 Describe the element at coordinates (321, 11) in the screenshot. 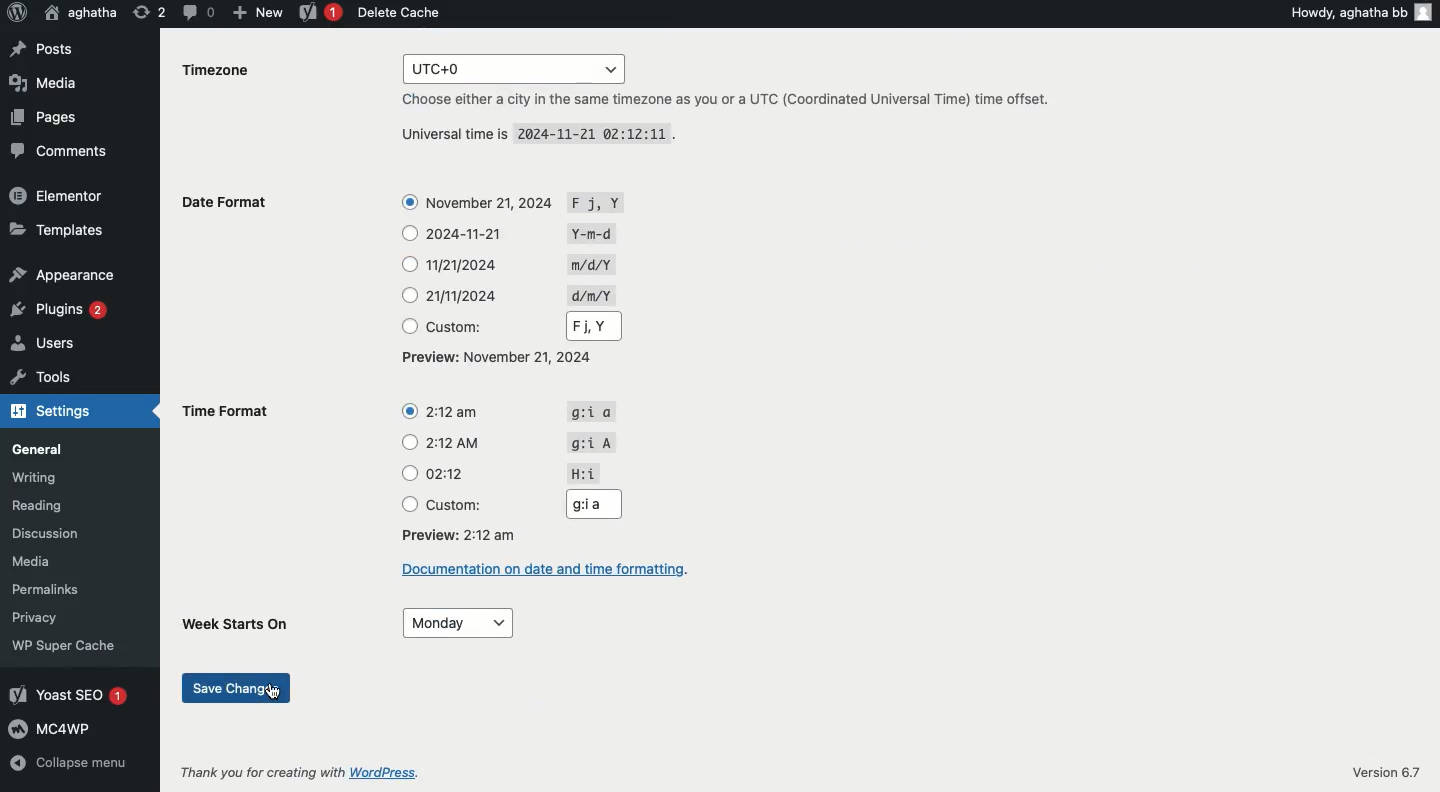

I see `Yoast` at that location.